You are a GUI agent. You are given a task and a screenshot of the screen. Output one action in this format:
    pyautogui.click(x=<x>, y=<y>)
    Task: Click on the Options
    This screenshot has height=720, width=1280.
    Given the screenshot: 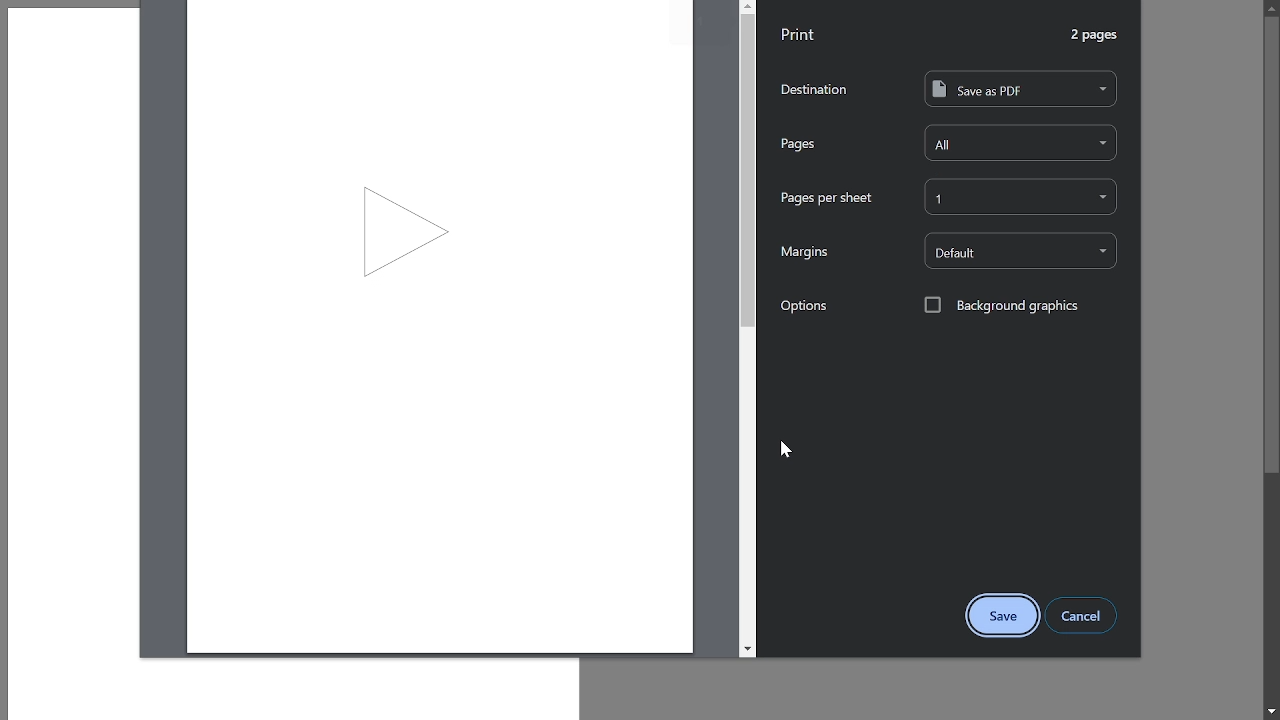 What is the action you would take?
    pyautogui.click(x=803, y=306)
    